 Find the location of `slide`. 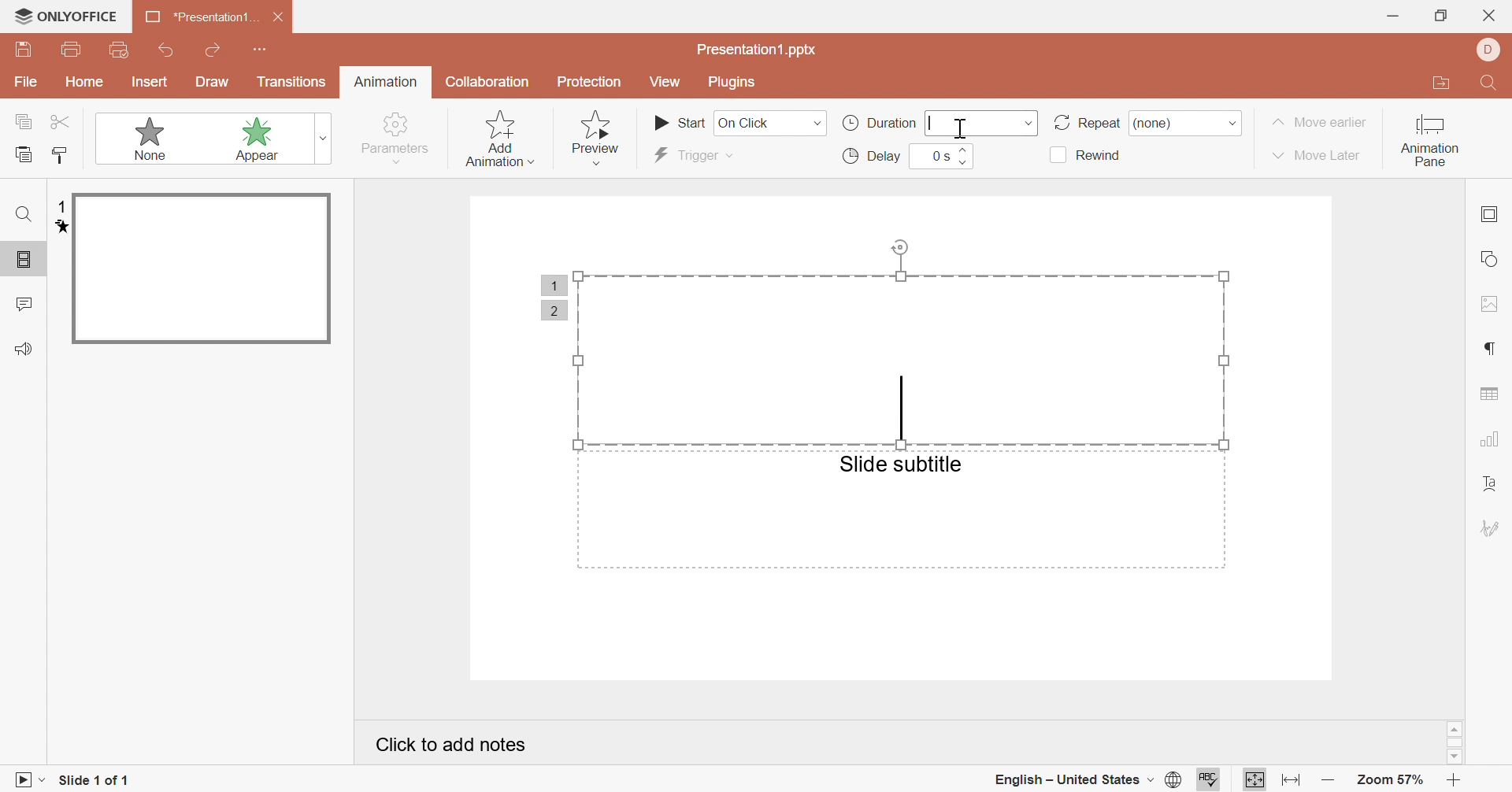

slide is located at coordinates (26, 261).